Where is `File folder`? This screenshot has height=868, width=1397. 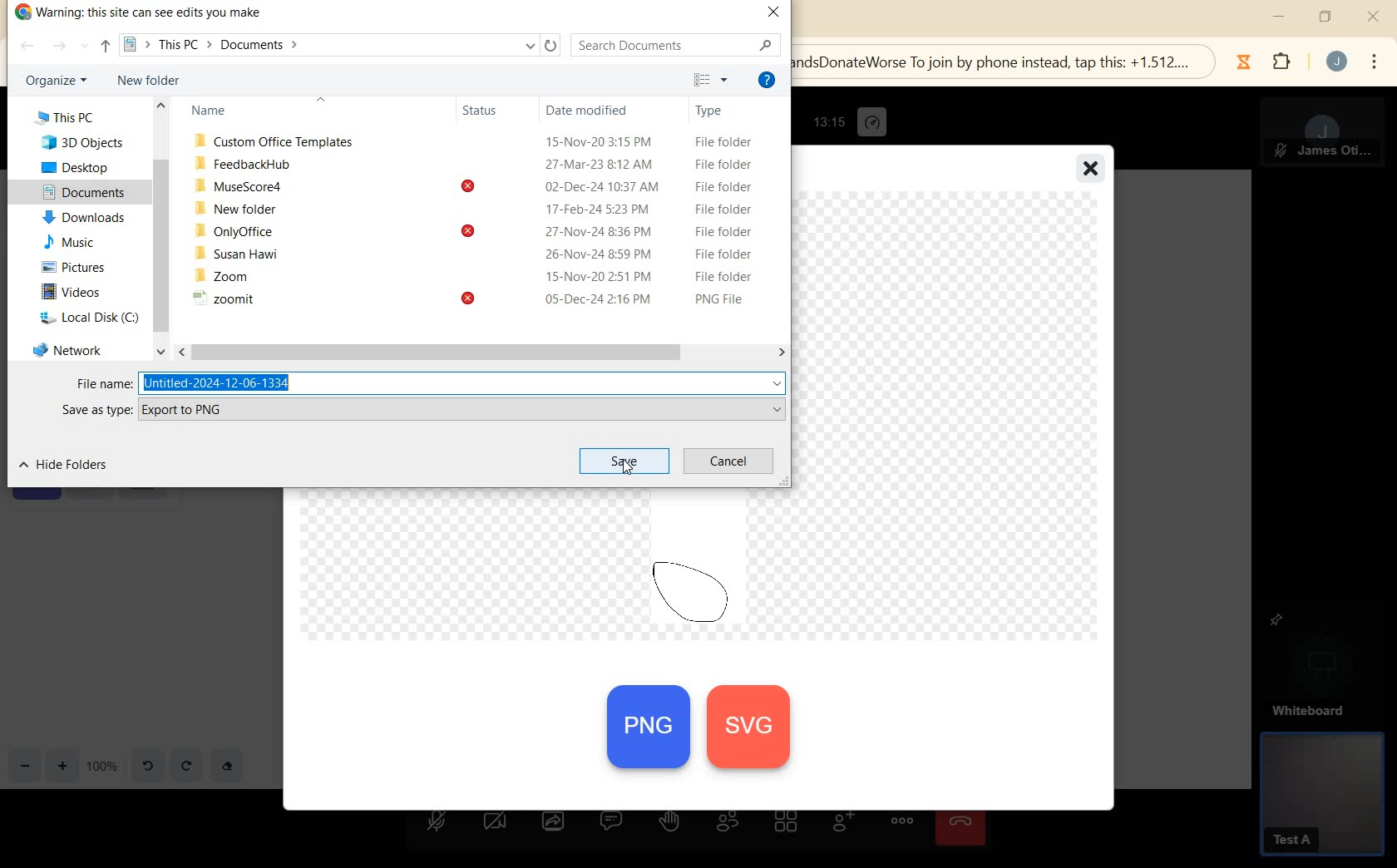
File folder is located at coordinates (726, 141).